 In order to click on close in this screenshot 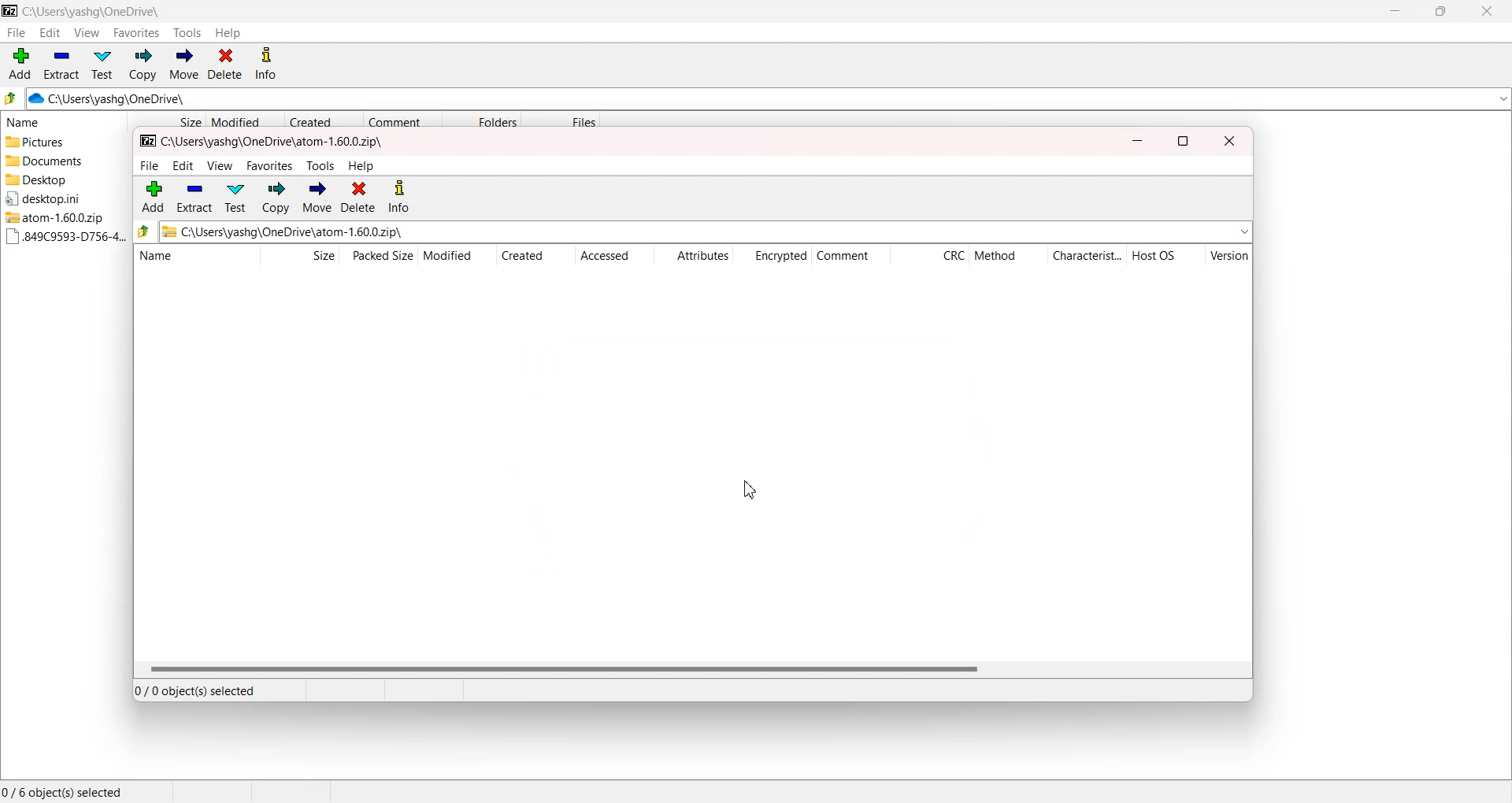, I will do `click(1230, 142)`.